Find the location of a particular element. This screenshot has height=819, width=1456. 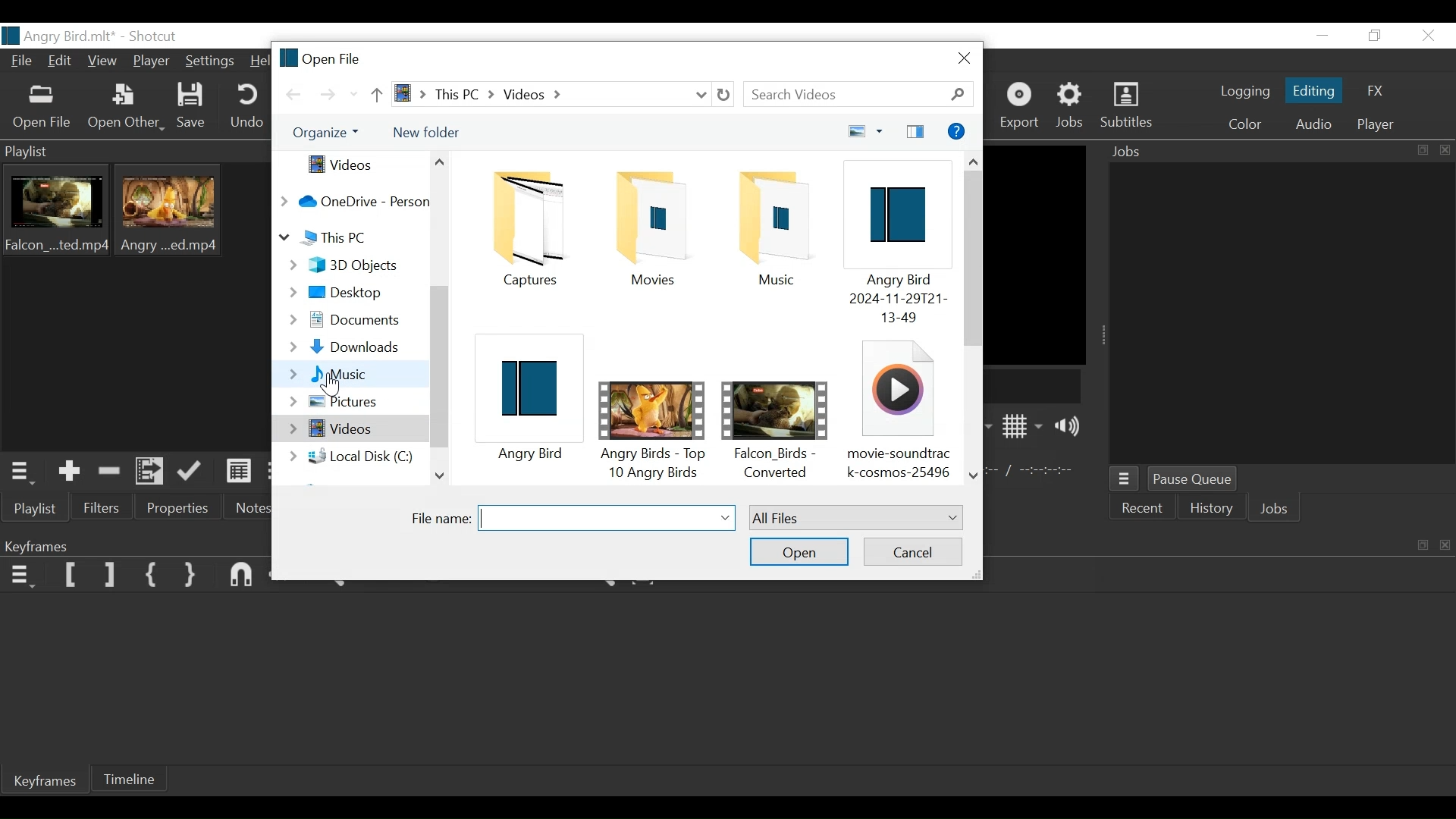

Set First Simple Keyframe is located at coordinates (151, 573).